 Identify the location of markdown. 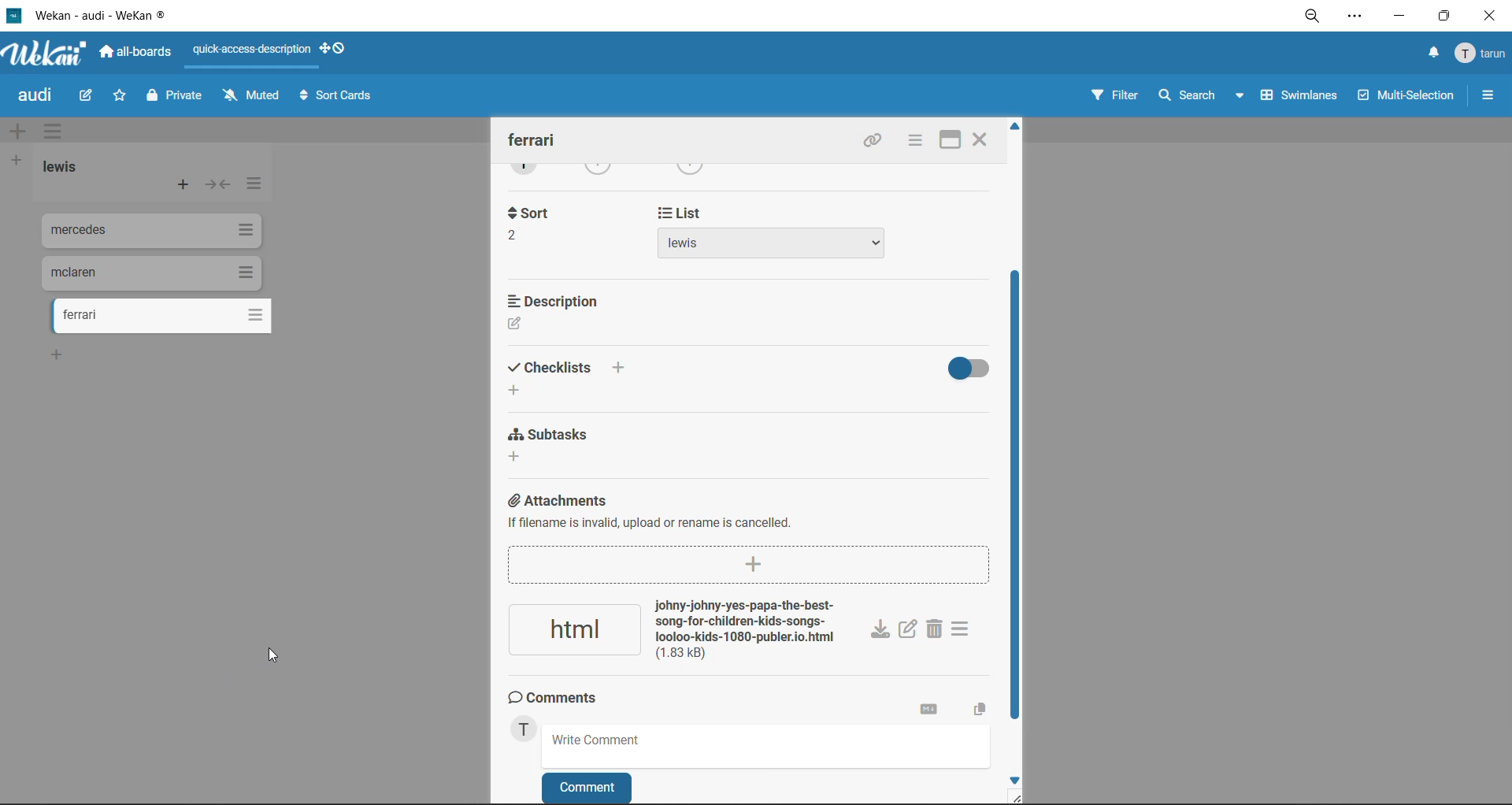
(932, 708).